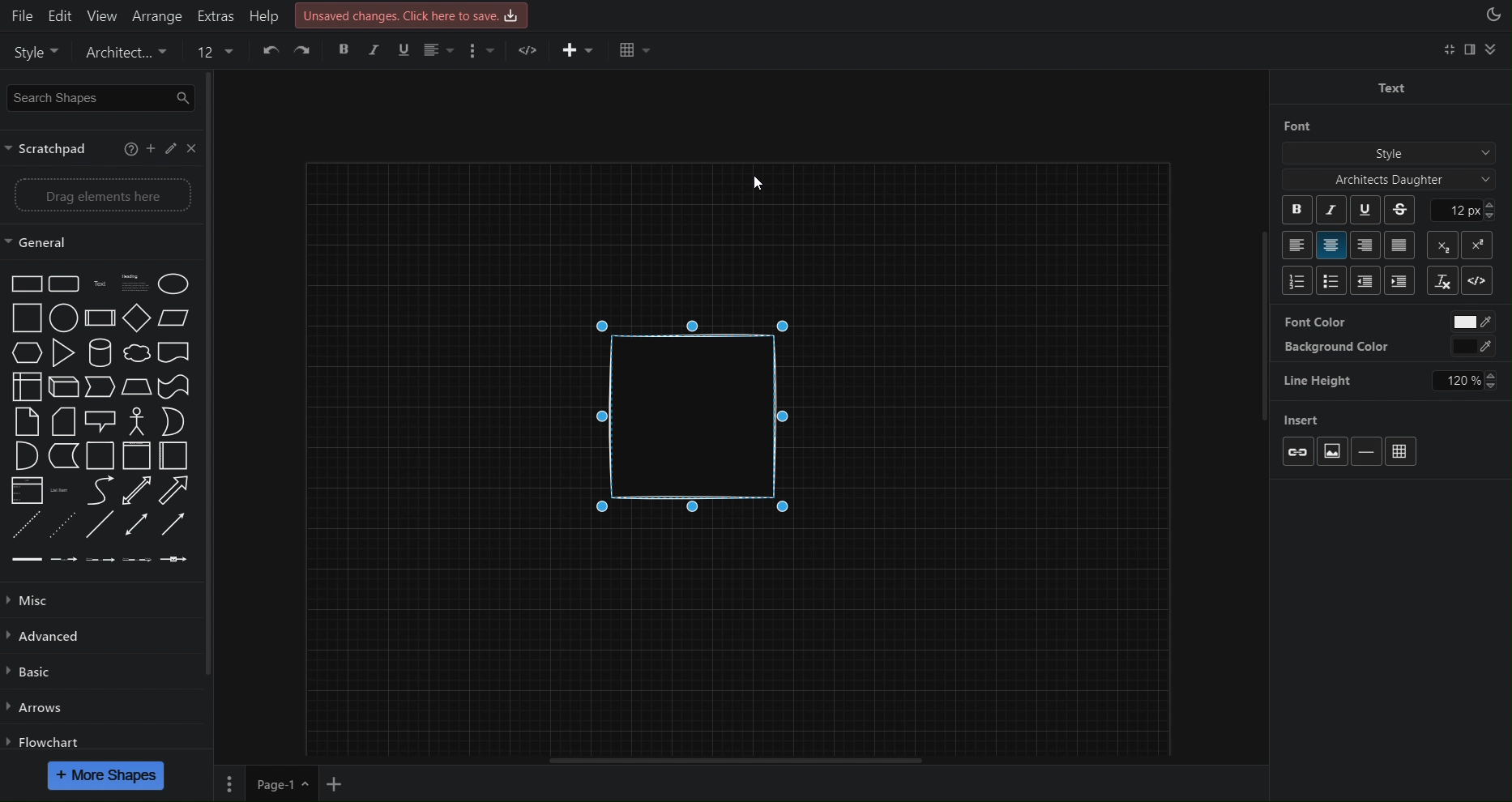 This screenshot has height=802, width=1512. What do you see at coordinates (348, 52) in the screenshot?
I see `Send to Front` at bounding box center [348, 52].